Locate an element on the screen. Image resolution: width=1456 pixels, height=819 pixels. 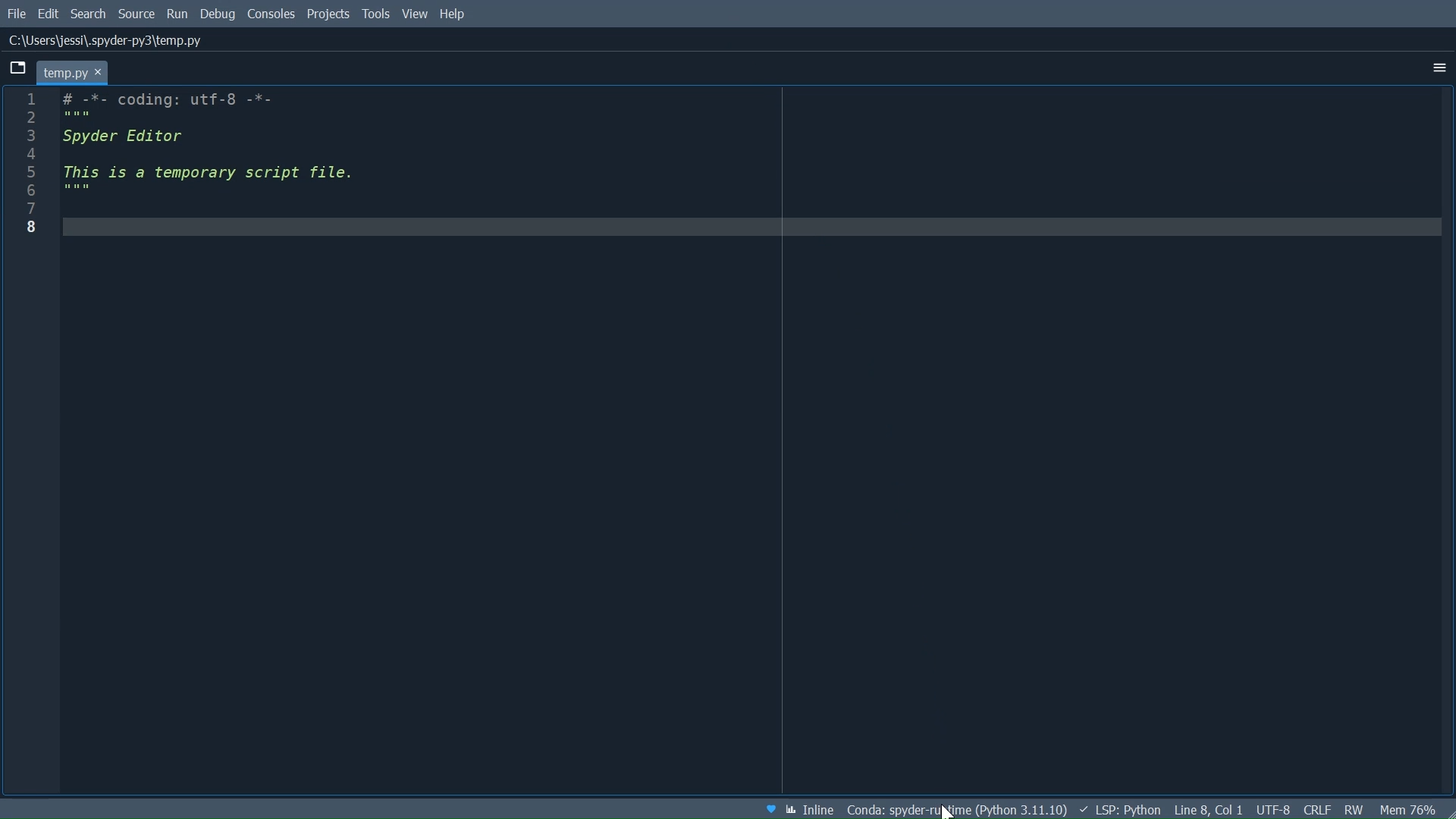
Help Spyder is located at coordinates (767, 808).